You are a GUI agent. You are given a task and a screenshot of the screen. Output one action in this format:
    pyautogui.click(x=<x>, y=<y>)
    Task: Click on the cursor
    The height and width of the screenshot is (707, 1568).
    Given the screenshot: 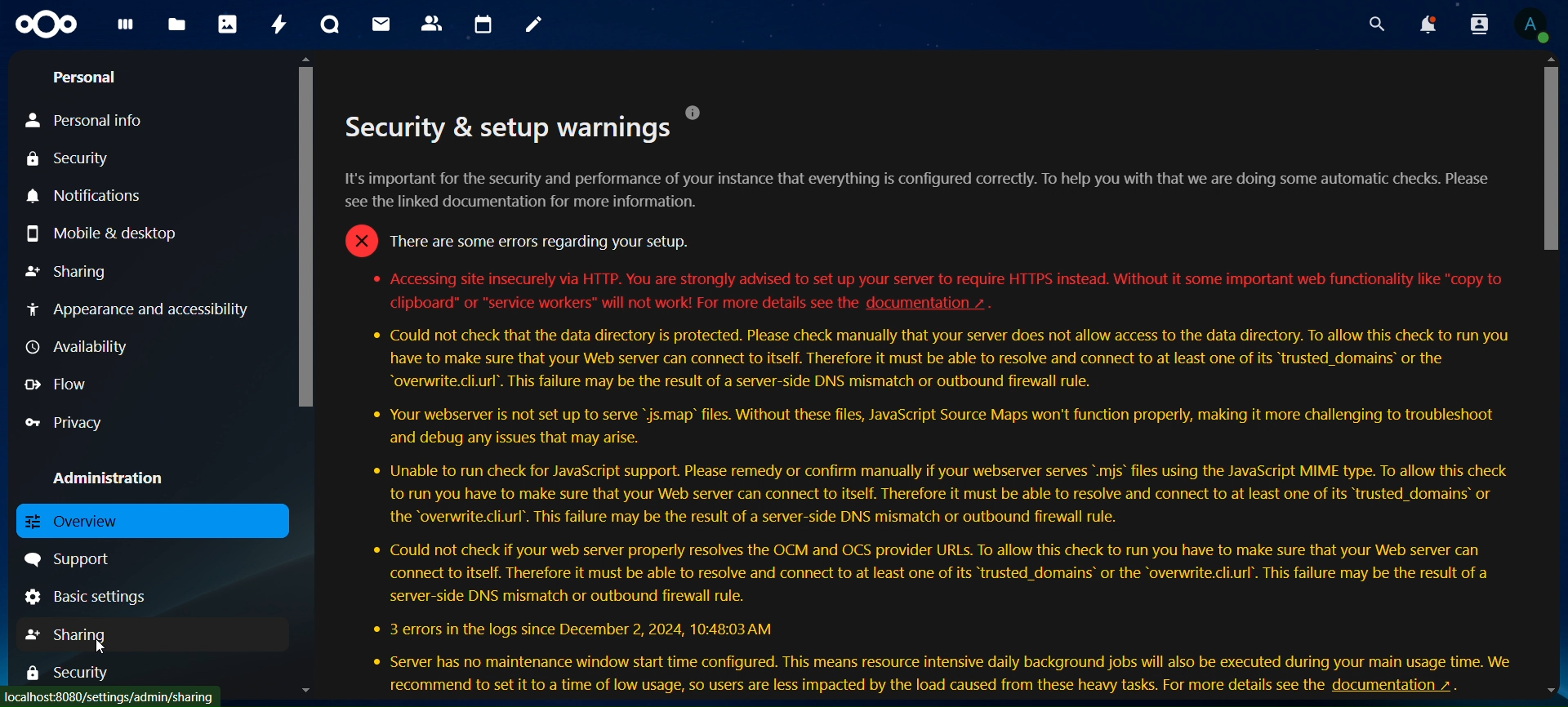 What is the action you would take?
    pyautogui.click(x=100, y=647)
    